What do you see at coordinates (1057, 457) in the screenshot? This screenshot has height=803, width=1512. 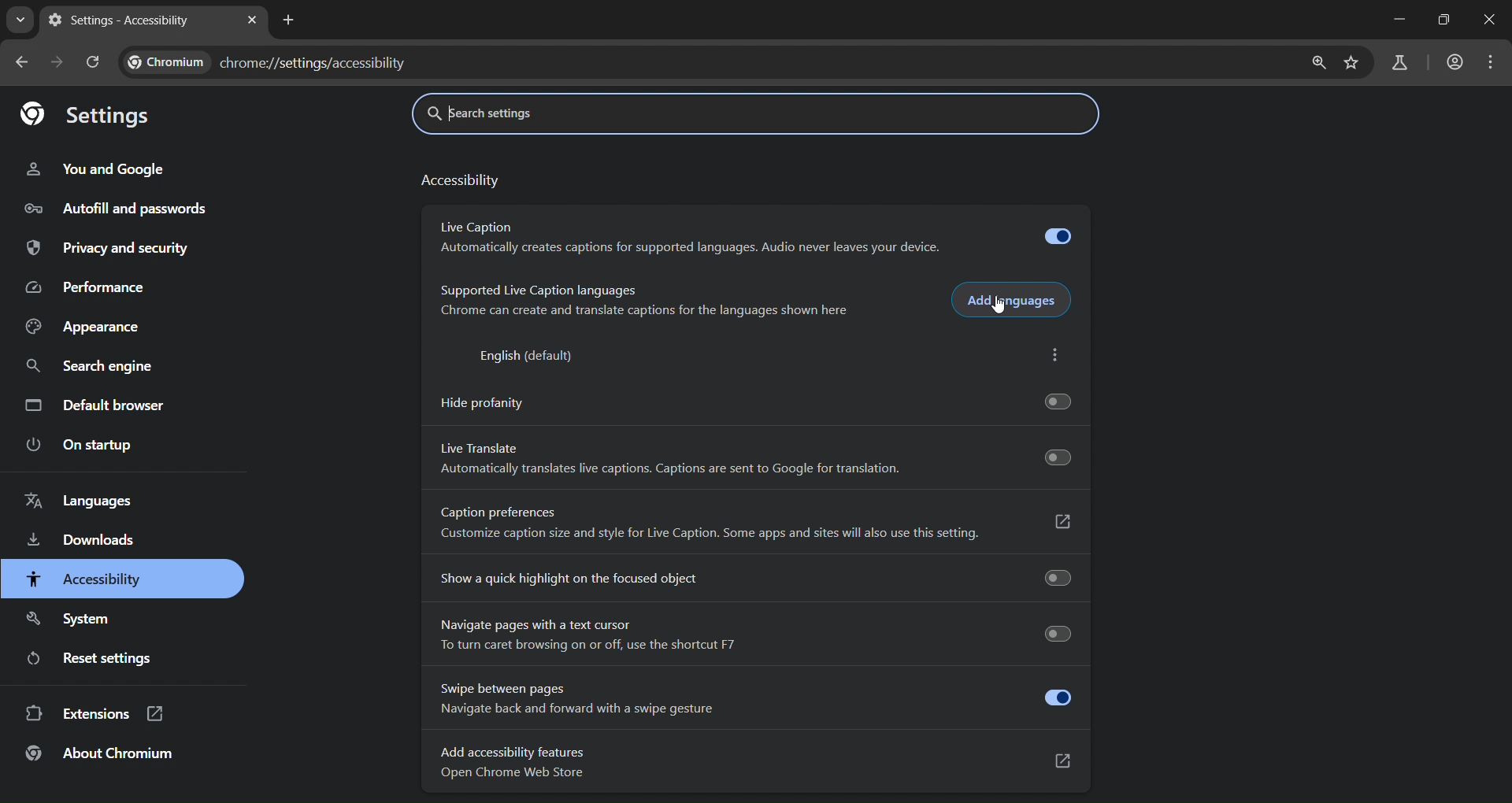 I see `button` at bounding box center [1057, 457].